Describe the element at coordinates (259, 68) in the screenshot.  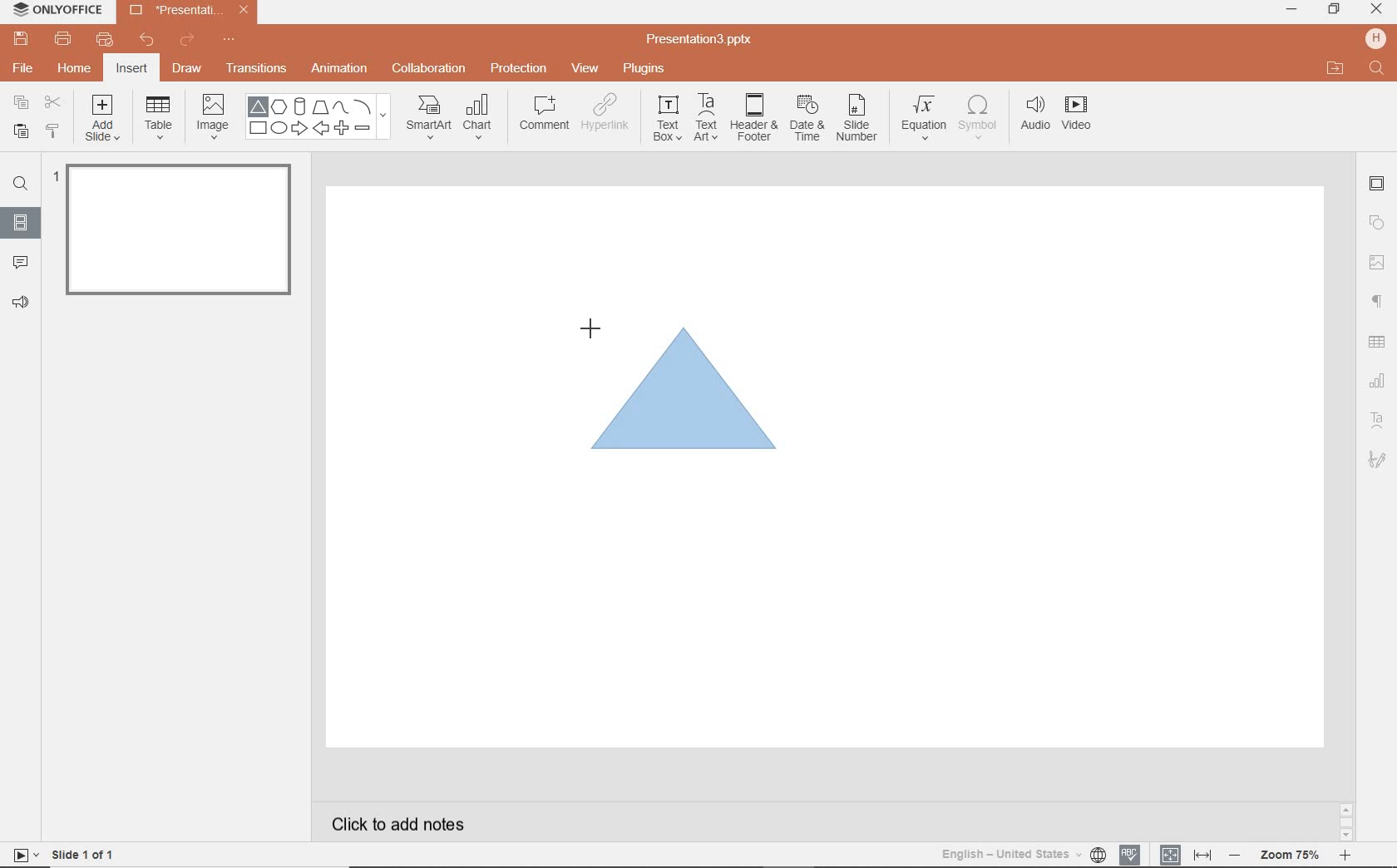
I see `TRANSITIONS` at that location.